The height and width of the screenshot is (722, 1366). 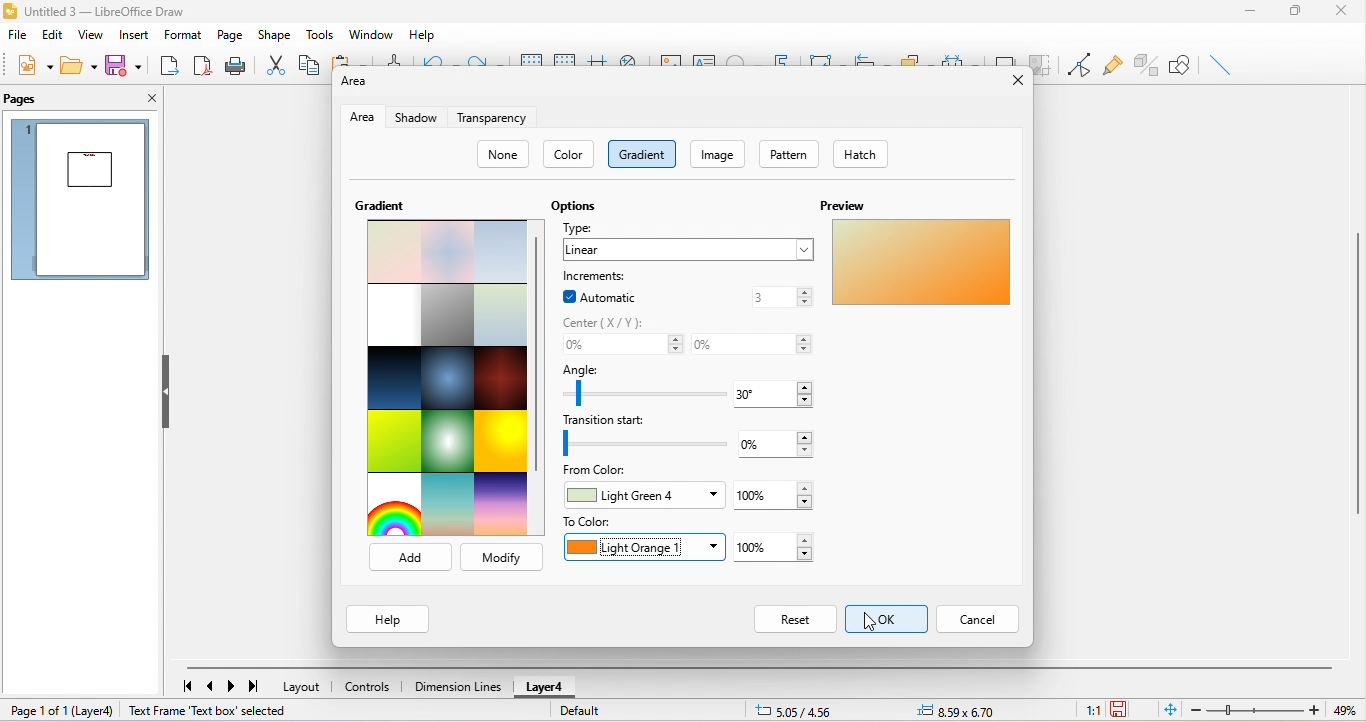 I want to click on color, so click(x=571, y=155).